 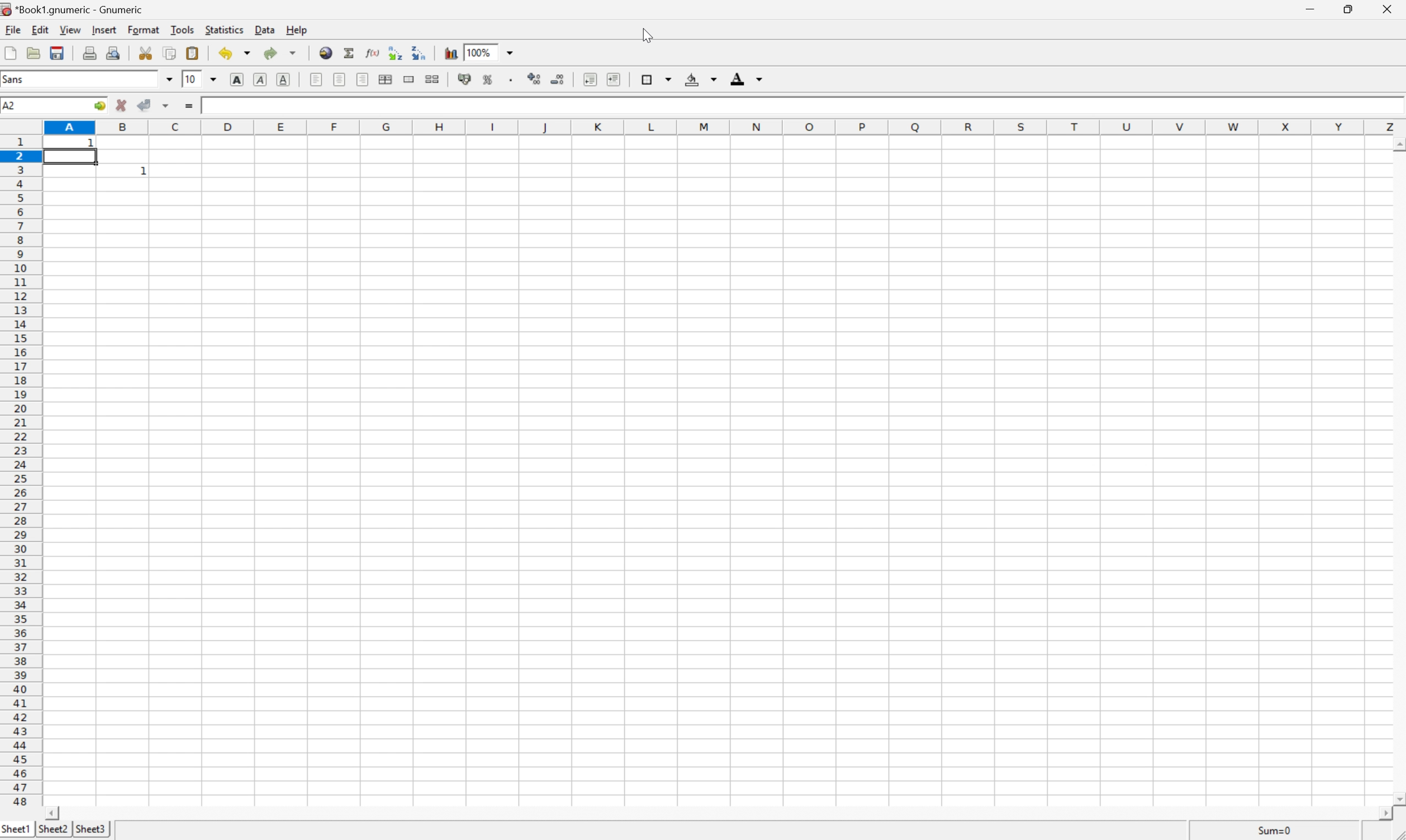 What do you see at coordinates (655, 80) in the screenshot?
I see `borders` at bounding box center [655, 80].